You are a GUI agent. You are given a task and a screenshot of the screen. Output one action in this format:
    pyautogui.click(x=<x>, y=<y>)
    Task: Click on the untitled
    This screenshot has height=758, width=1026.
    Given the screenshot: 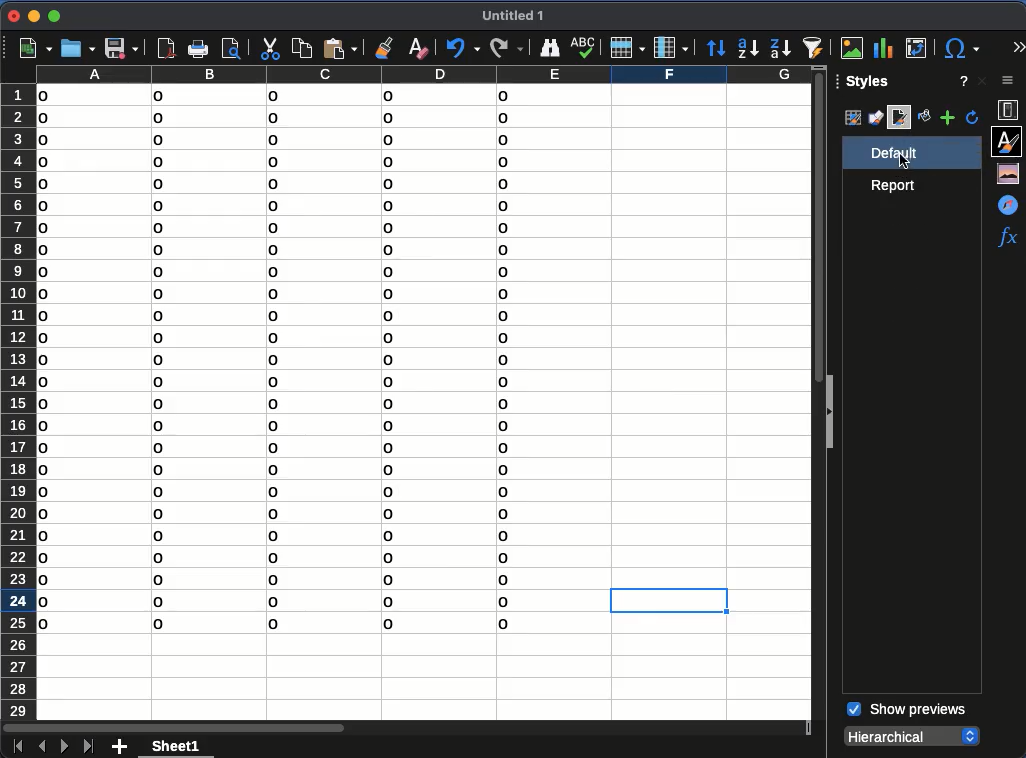 What is the action you would take?
    pyautogui.click(x=517, y=17)
    